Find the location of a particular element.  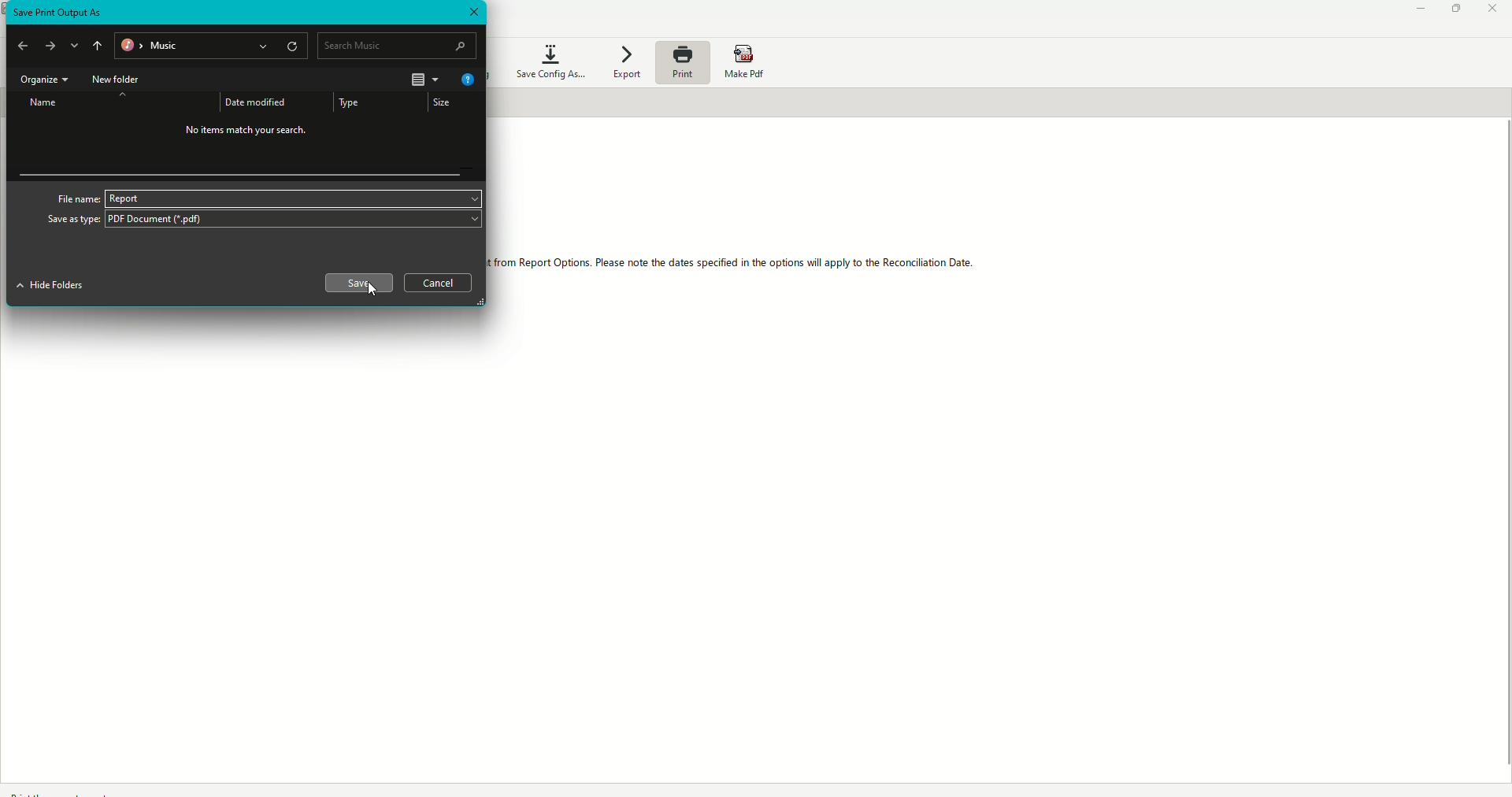

up is located at coordinates (98, 45).